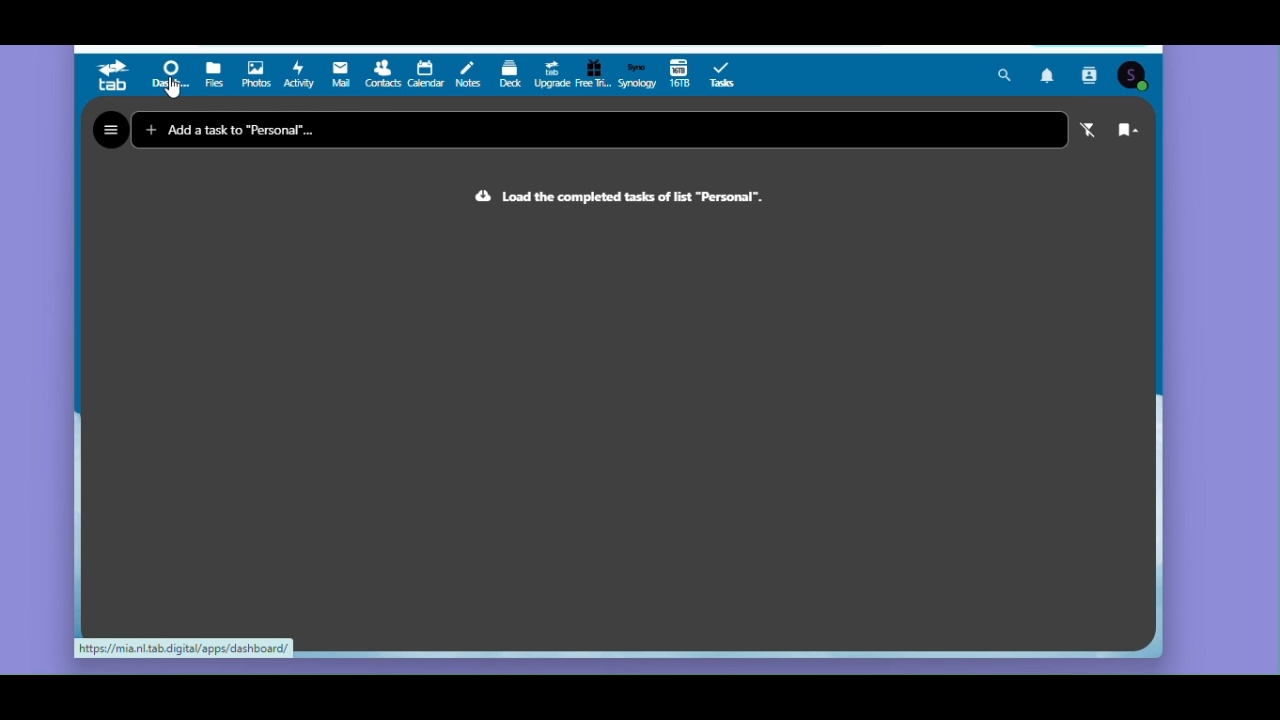 Image resolution: width=1280 pixels, height=720 pixels. Describe the element at coordinates (382, 76) in the screenshot. I see `Contacts` at that location.